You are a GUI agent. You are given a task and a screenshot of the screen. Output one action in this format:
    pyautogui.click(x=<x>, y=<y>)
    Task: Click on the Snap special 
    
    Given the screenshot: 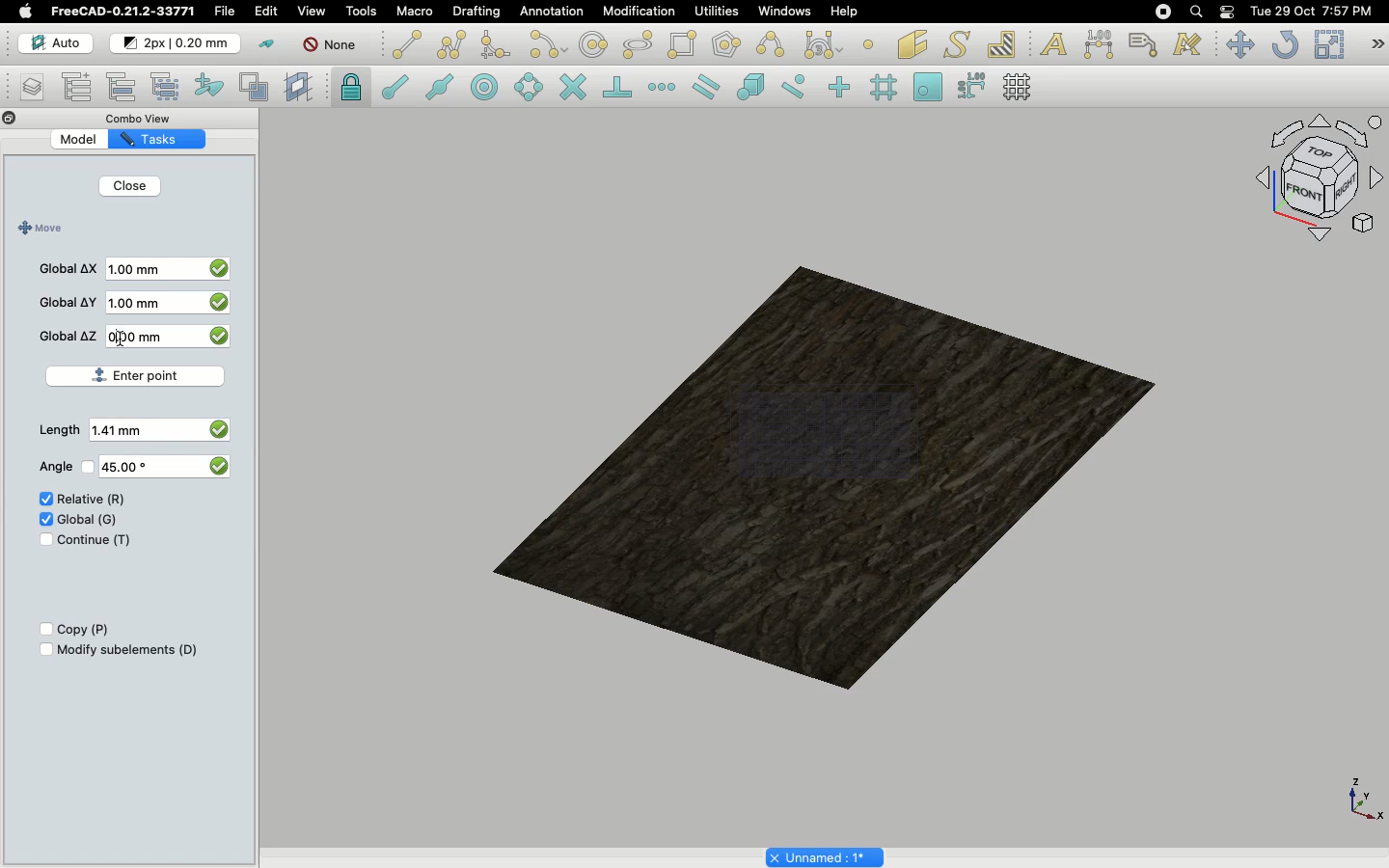 What is the action you would take?
    pyautogui.click(x=754, y=89)
    